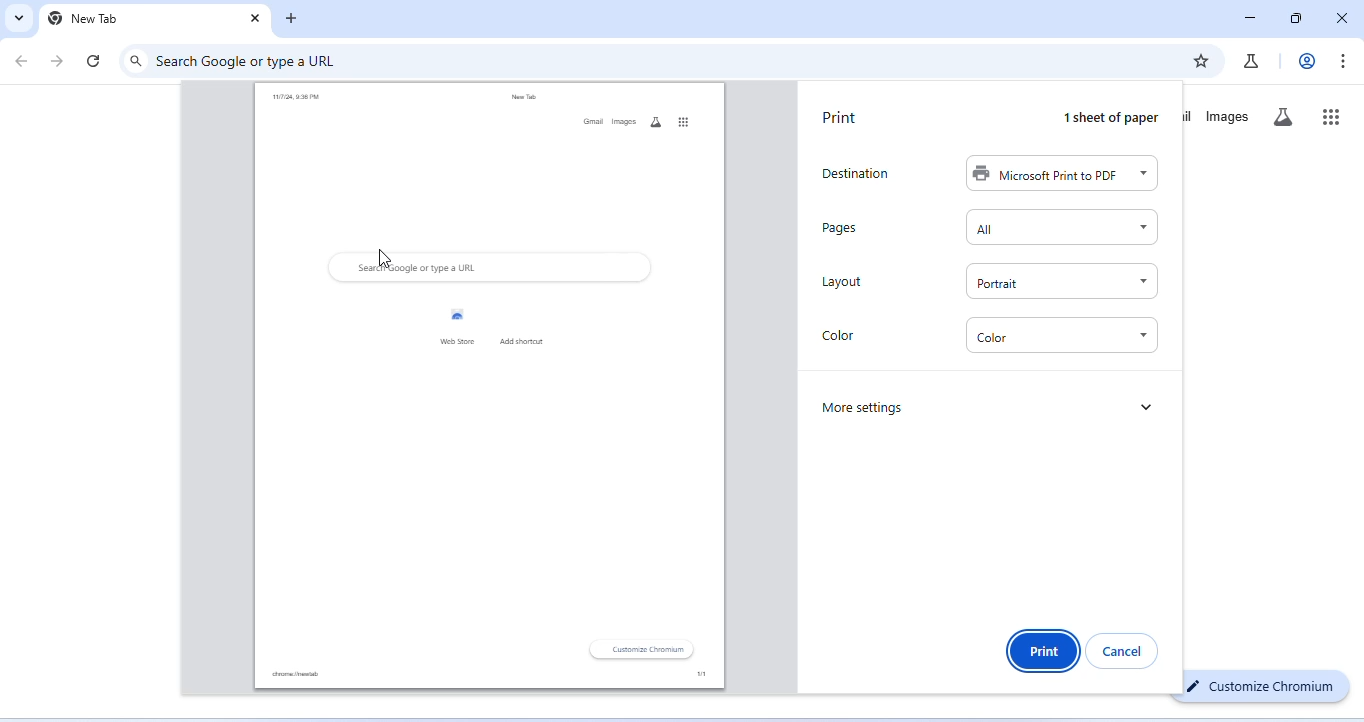  What do you see at coordinates (20, 18) in the screenshot?
I see `search tabs` at bounding box center [20, 18].